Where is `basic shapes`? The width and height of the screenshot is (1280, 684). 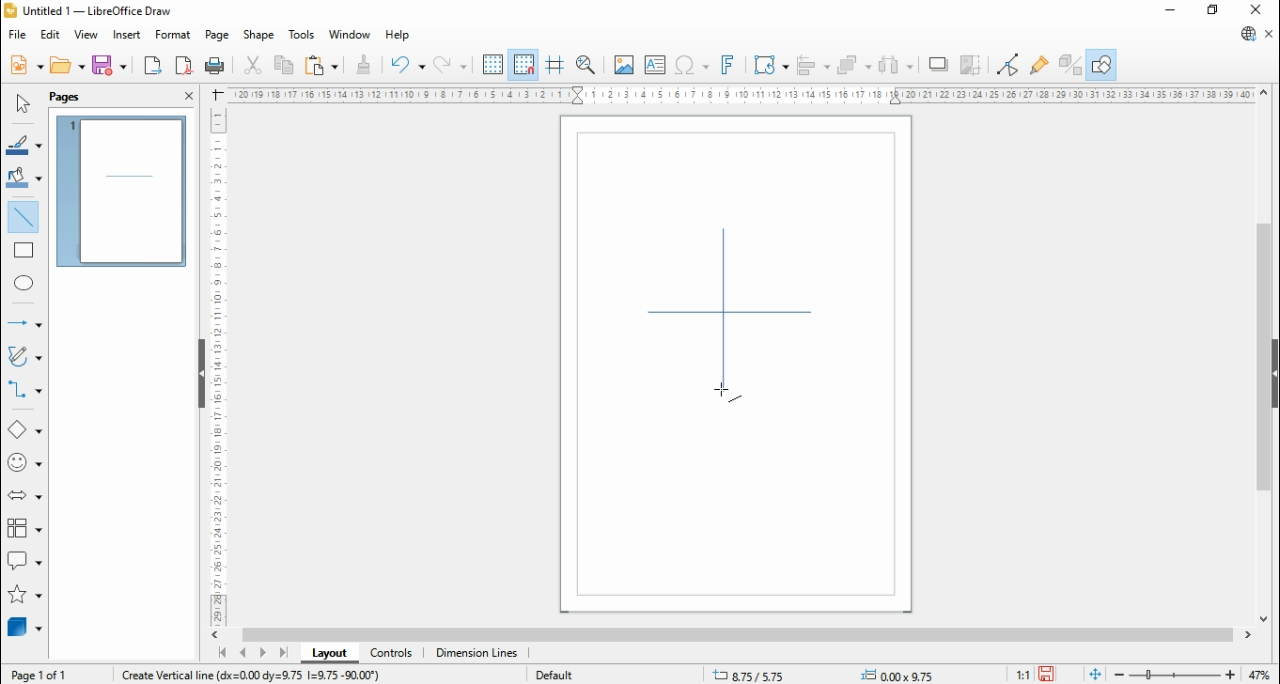 basic shapes is located at coordinates (24, 430).